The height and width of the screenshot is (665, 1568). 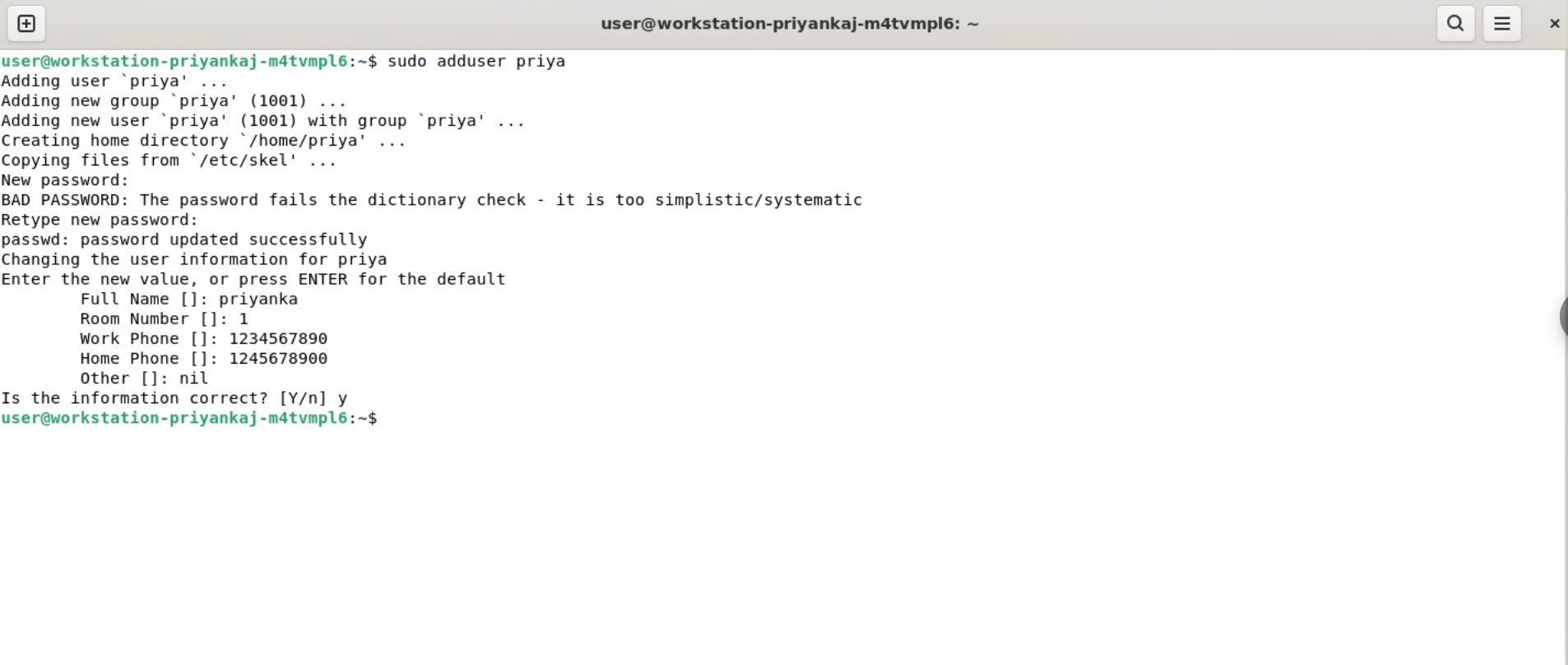 I want to click on home phone, so click(x=147, y=359).